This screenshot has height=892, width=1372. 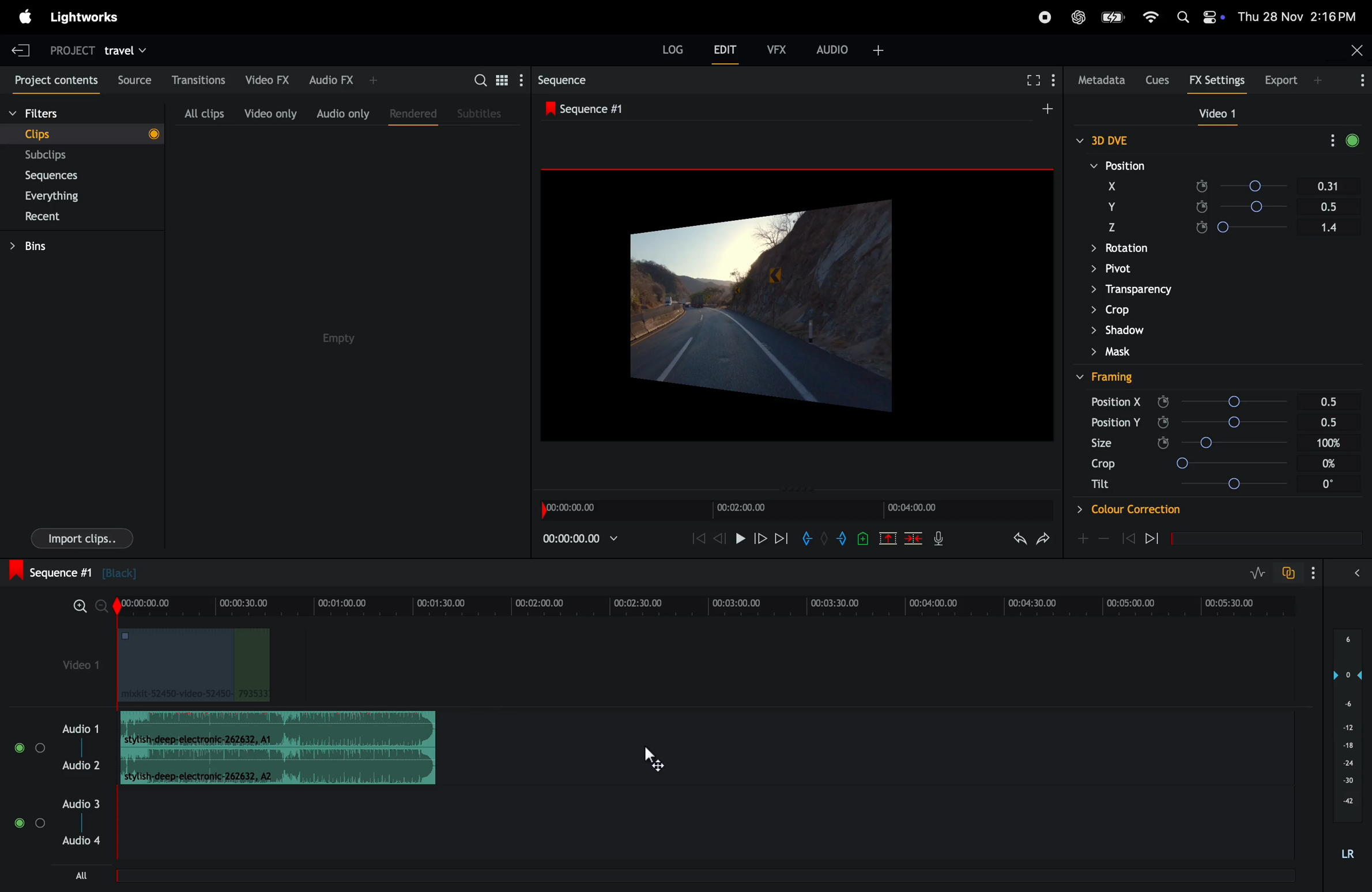 I want to click on play pause, so click(x=742, y=540).